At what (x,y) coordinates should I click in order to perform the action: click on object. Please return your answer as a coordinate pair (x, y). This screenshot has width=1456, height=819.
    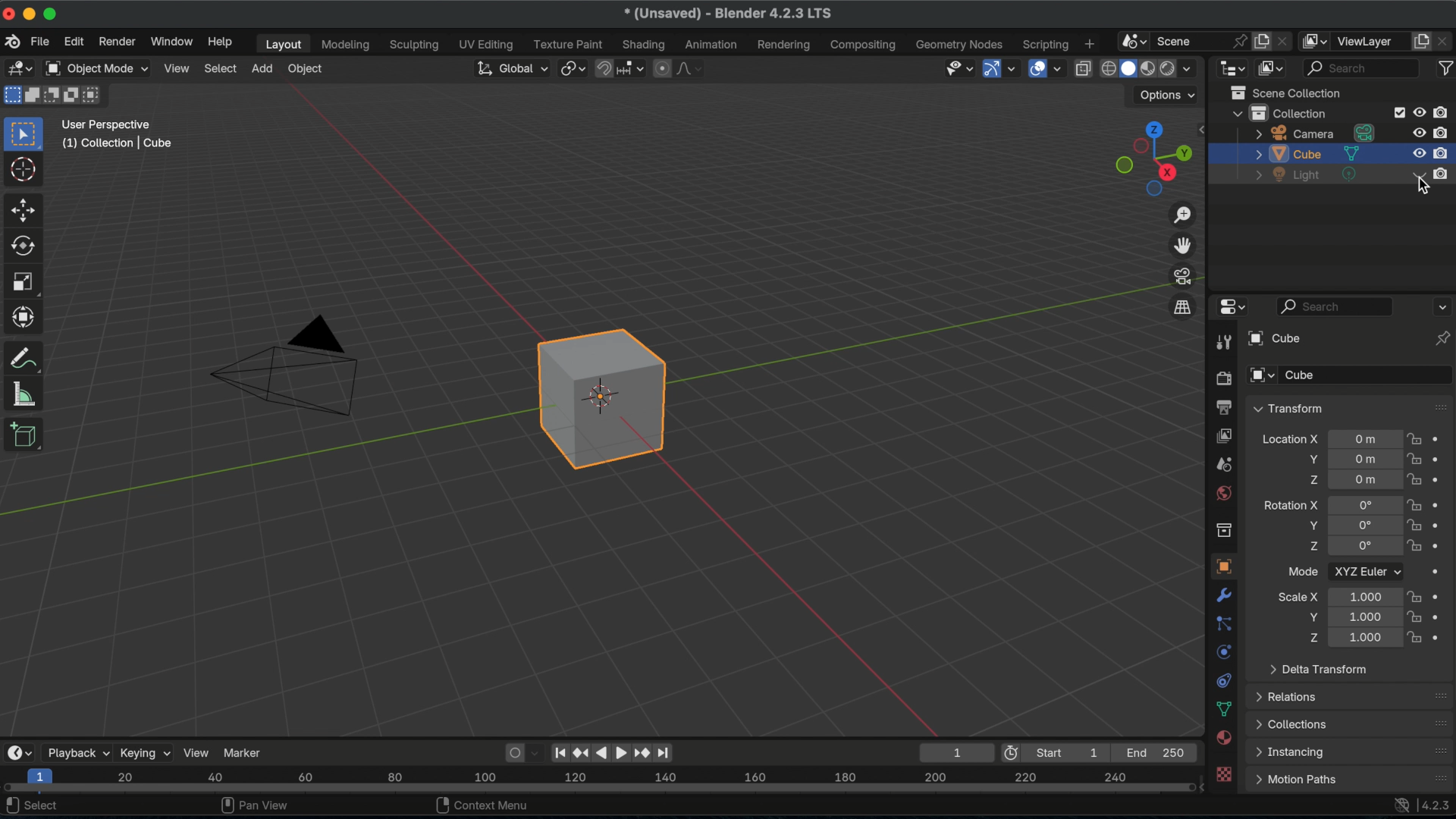
    Looking at the image, I should click on (1222, 566).